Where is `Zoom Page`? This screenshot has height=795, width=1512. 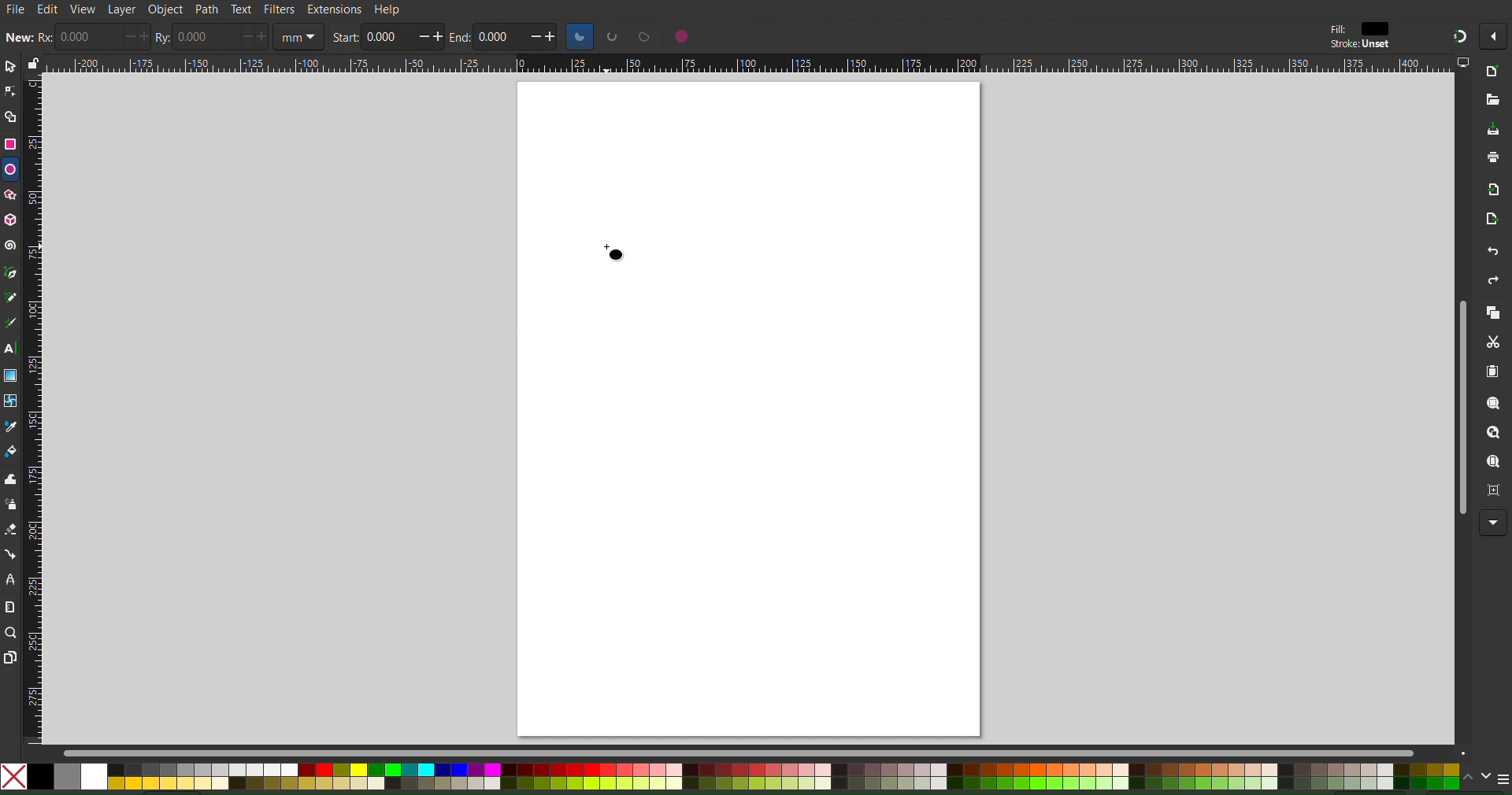
Zoom Page is located at coordinates (1492, 462).